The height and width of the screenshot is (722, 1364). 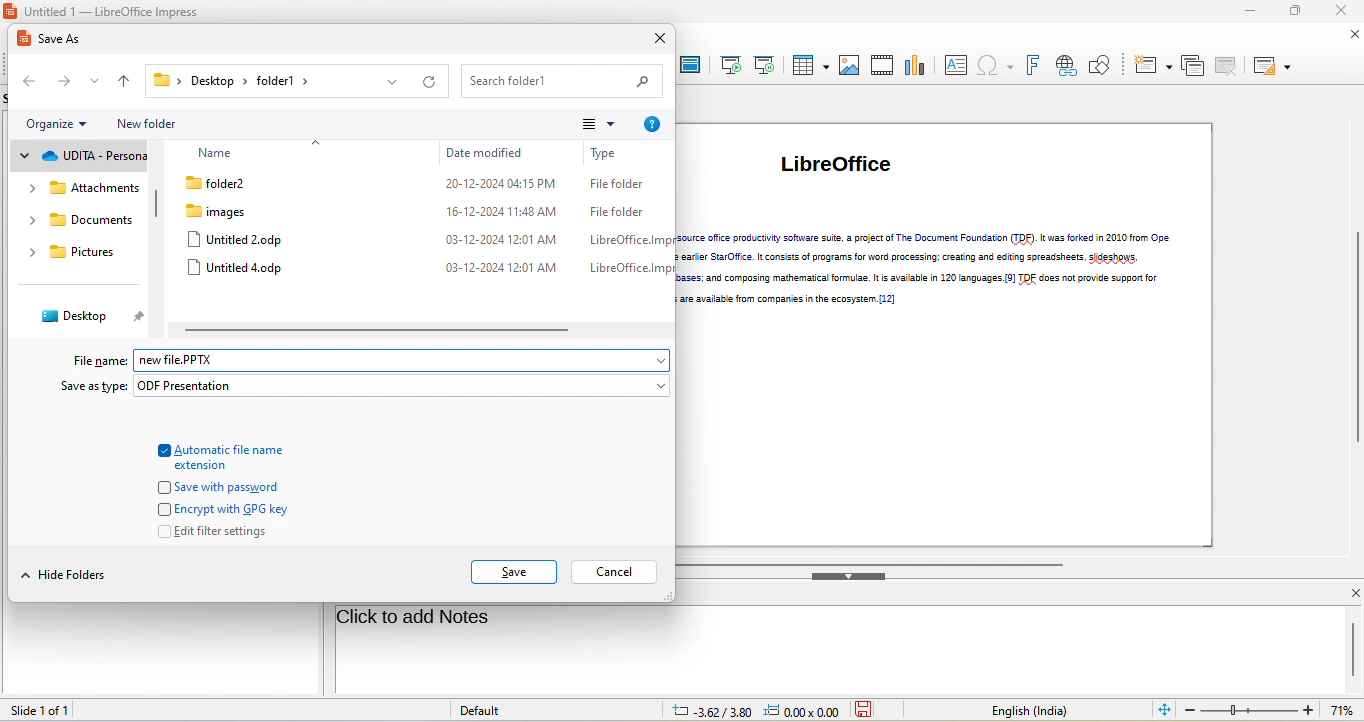 What do you see at coordinates (1230, 66) in the screenshot?
I see `delete slide` at bounding box center [1230, 66].